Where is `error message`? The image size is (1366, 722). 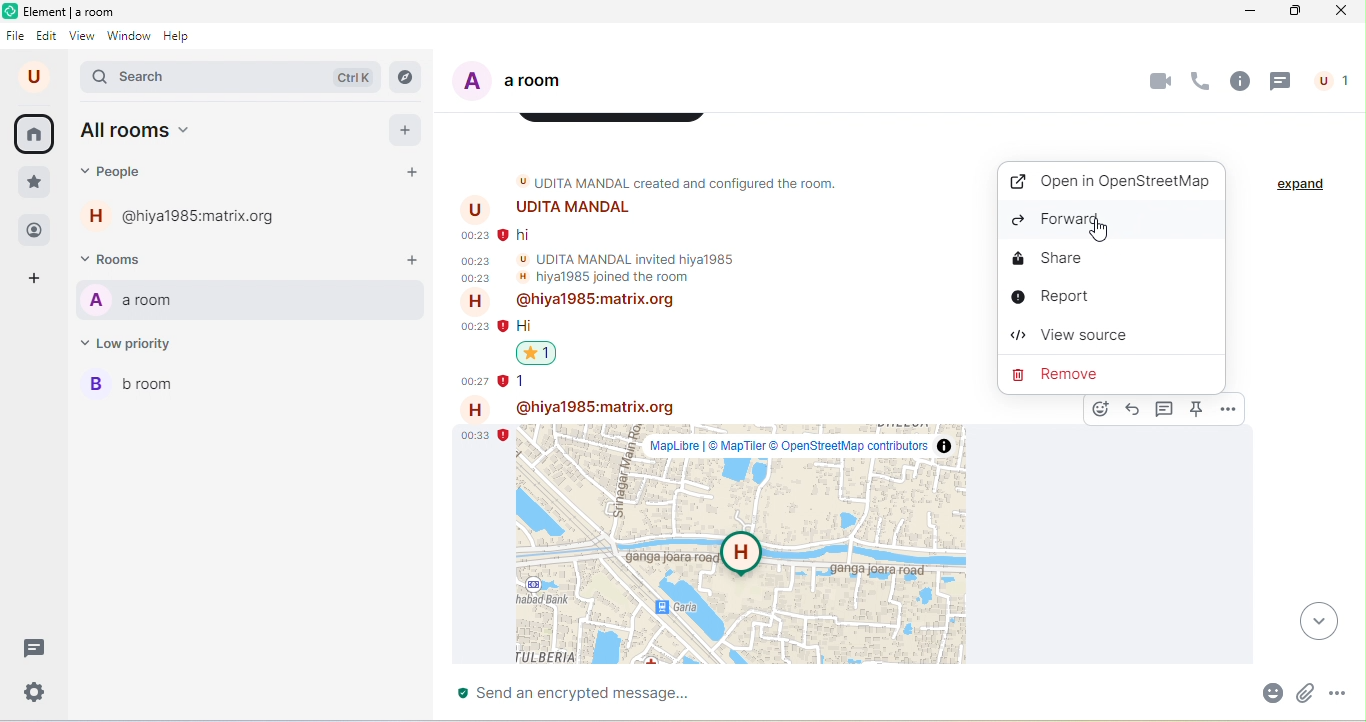
error message is located at coordinates (502, 435).